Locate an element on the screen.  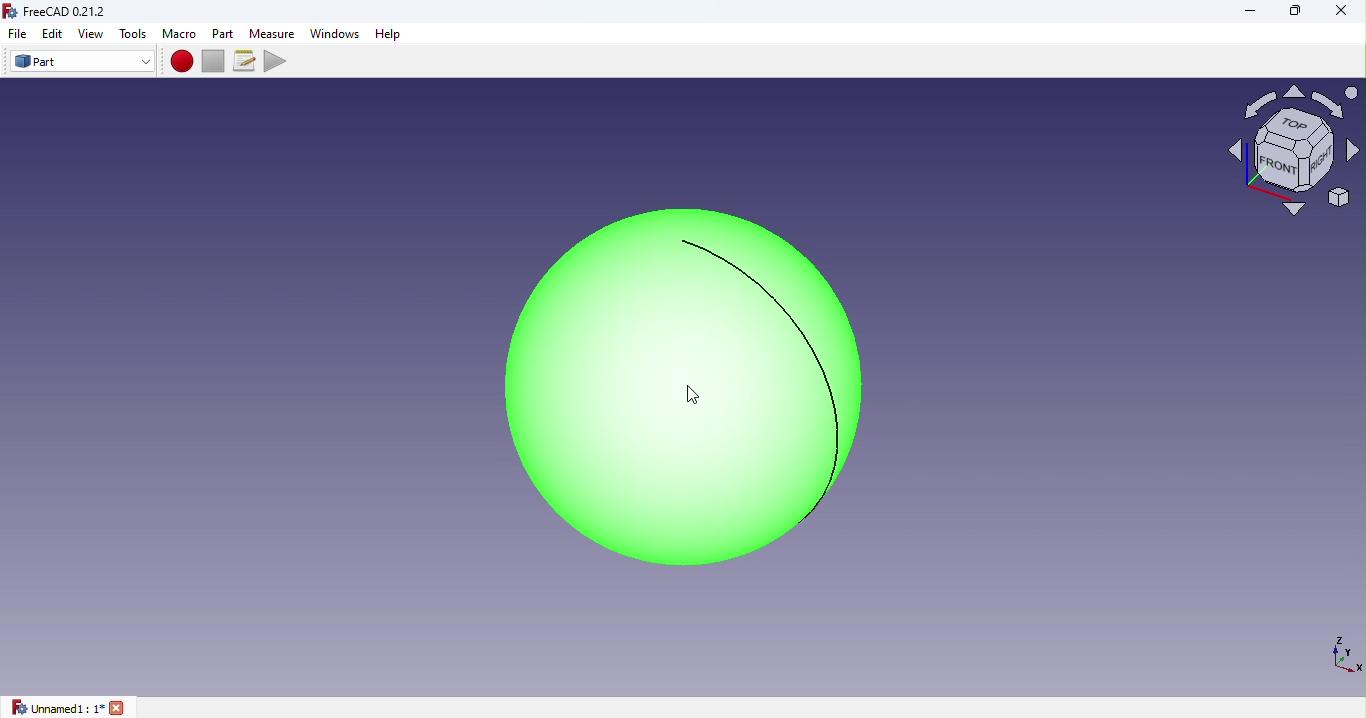
Macro is located at coordinates (179, 34).